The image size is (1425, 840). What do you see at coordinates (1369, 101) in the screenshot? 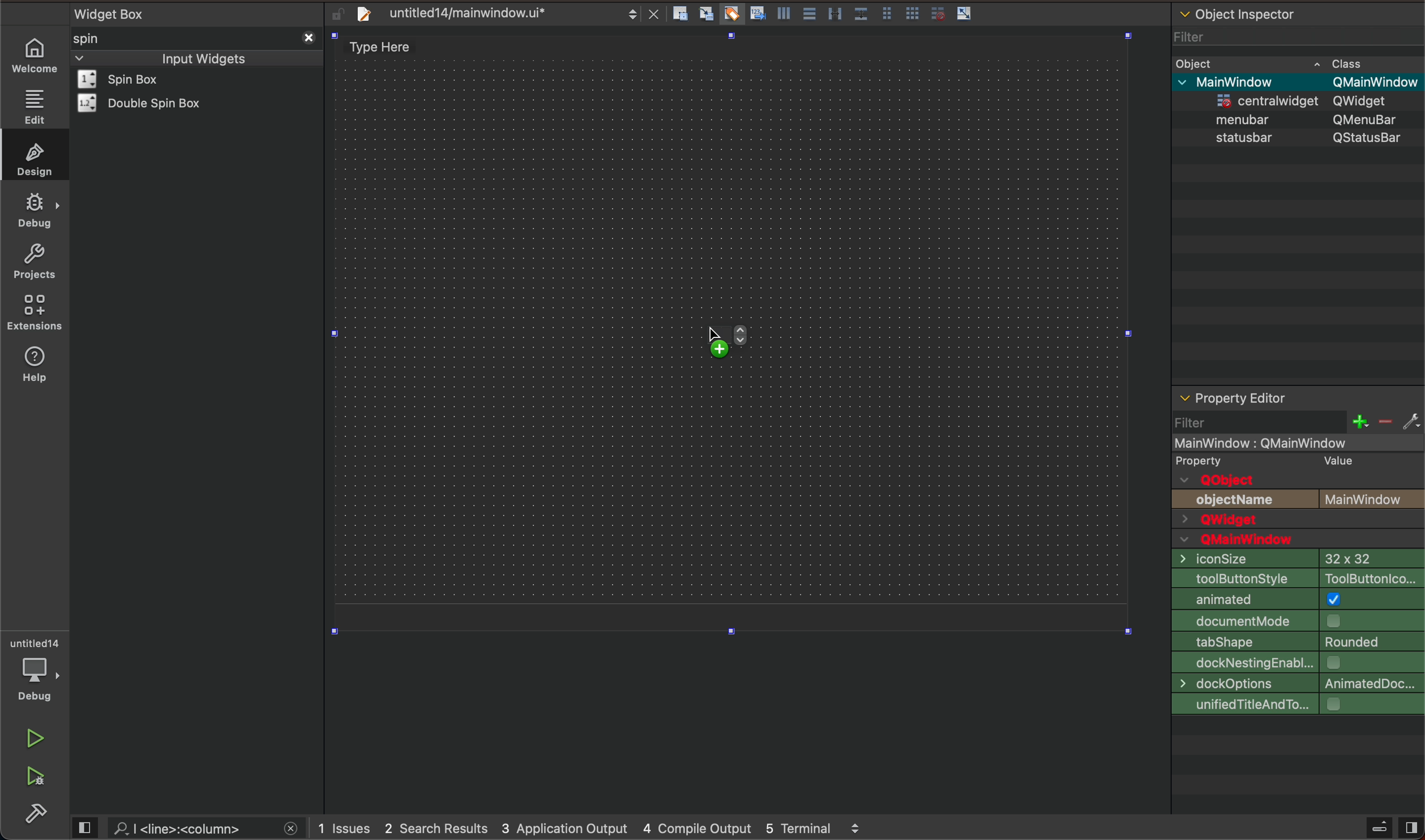
I see `` at bounding box center [1369, 101].